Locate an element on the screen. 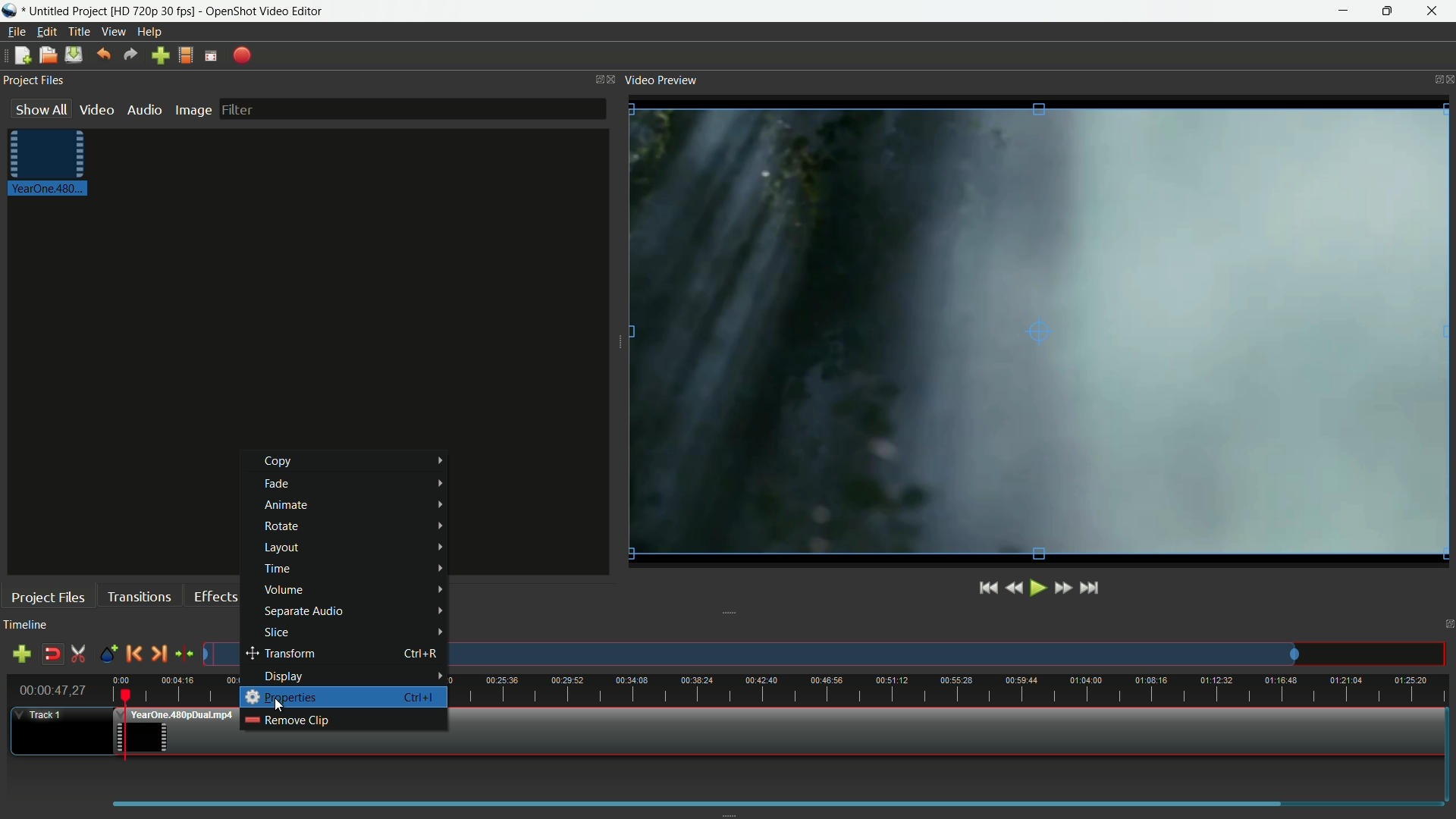  remove clip is located at coordinates (286, 720).